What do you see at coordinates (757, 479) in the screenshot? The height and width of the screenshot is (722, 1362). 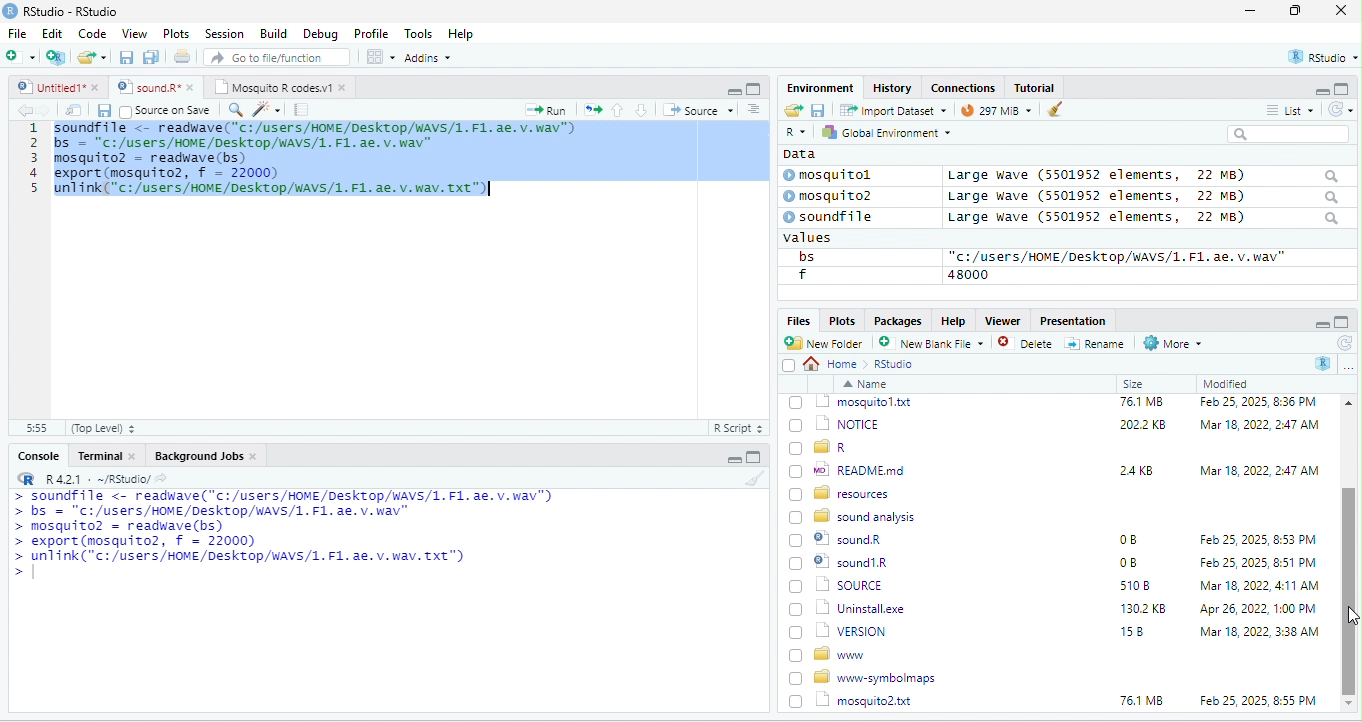 I see `brush` at bounding box center [757, 479].